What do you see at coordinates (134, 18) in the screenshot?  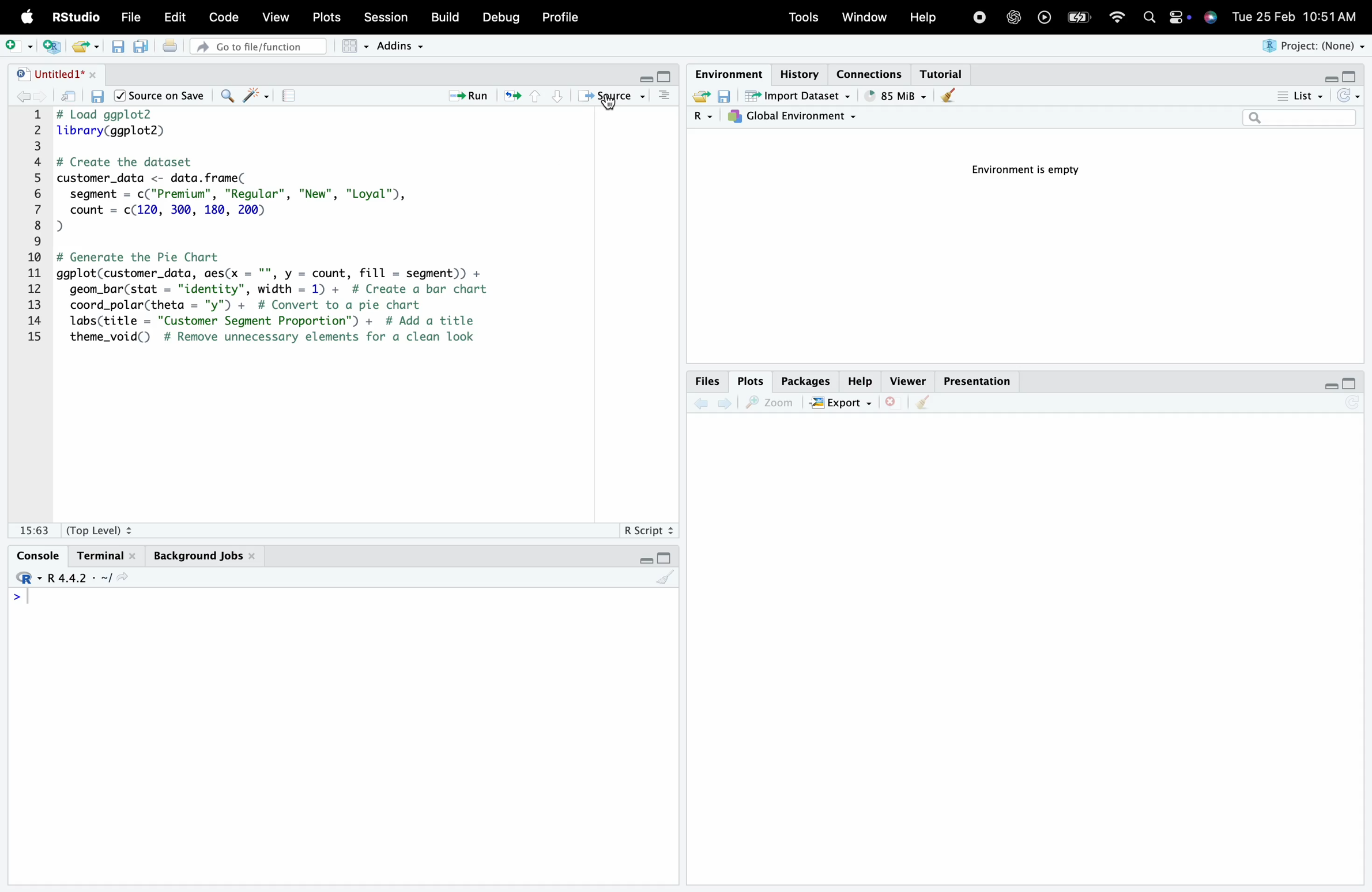 I see `File` at bounding box center [134, 18].